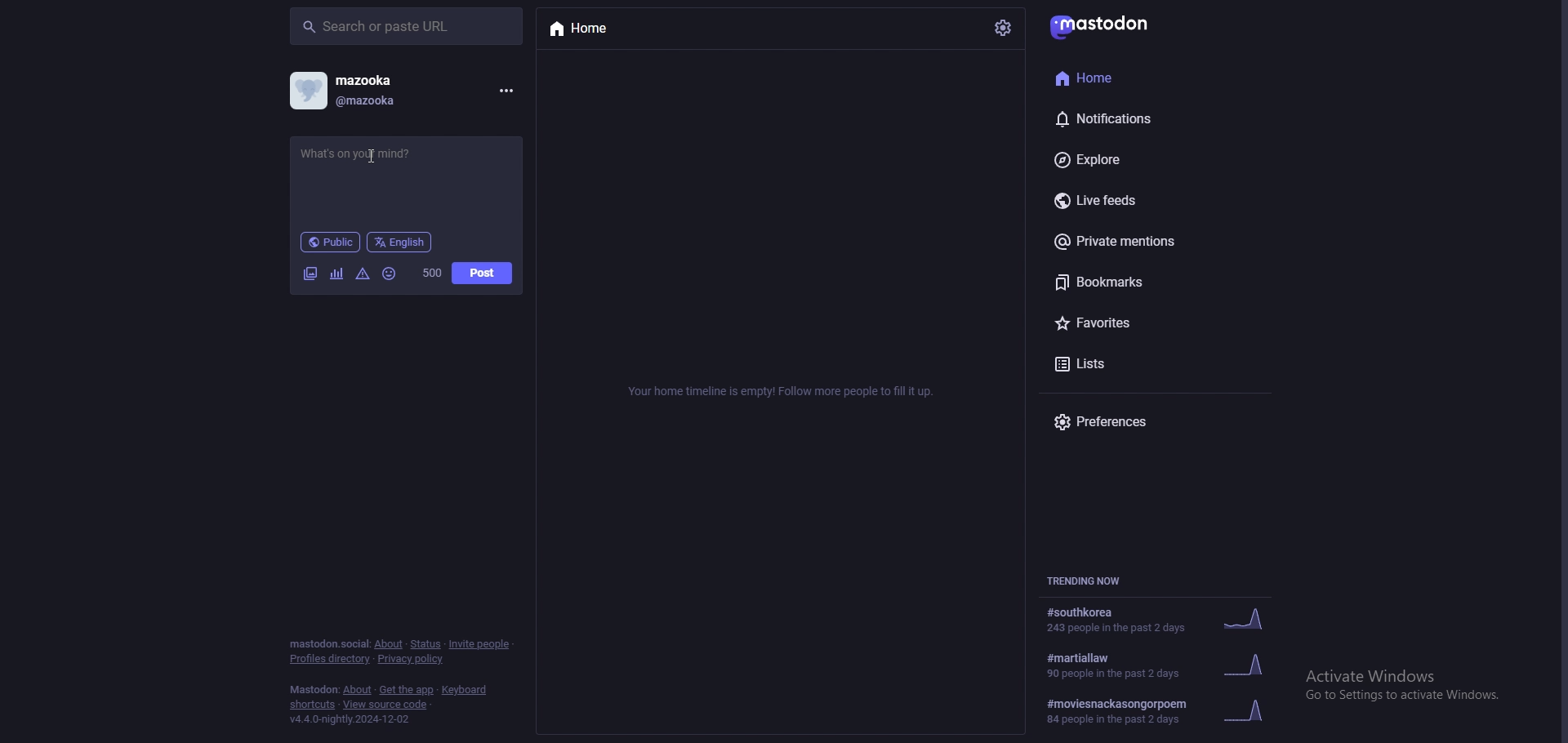 This screenshot has width=1568, height=743. I want to click on mastodon, so click(314, 689).